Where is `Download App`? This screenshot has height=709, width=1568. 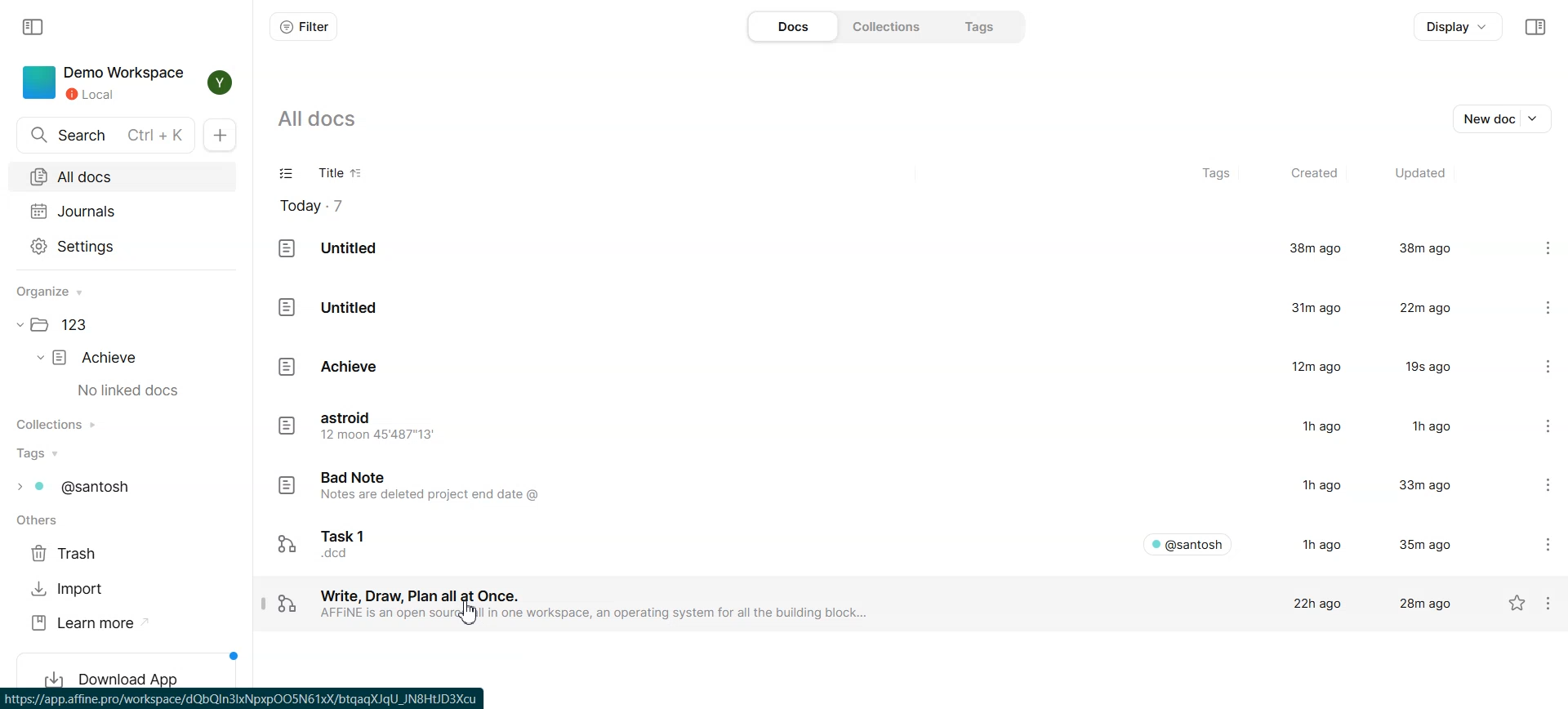
Download App is located at coordinates (127, 668).